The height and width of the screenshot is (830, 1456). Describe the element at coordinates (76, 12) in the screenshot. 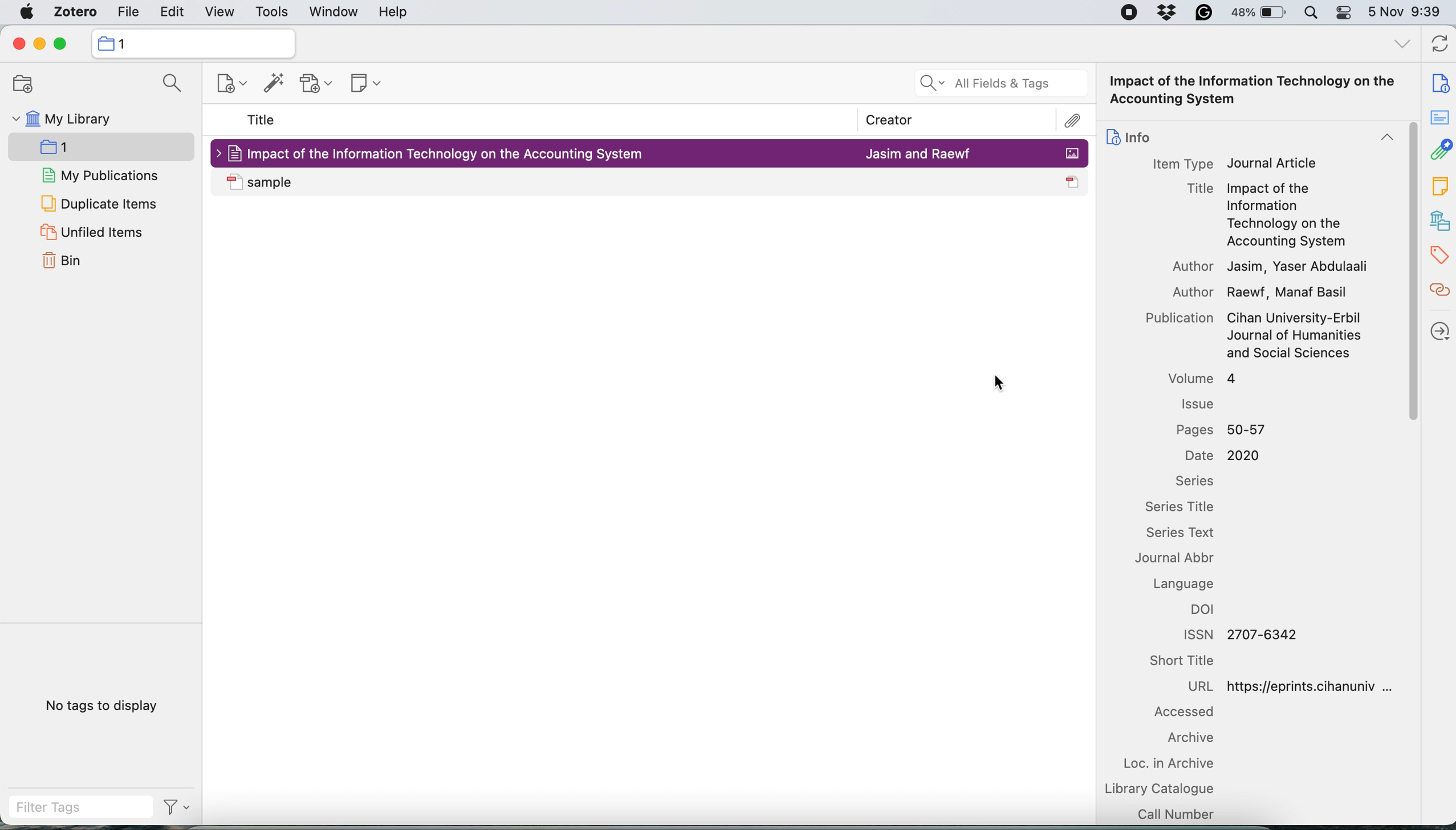

I see `zotero` at that location.